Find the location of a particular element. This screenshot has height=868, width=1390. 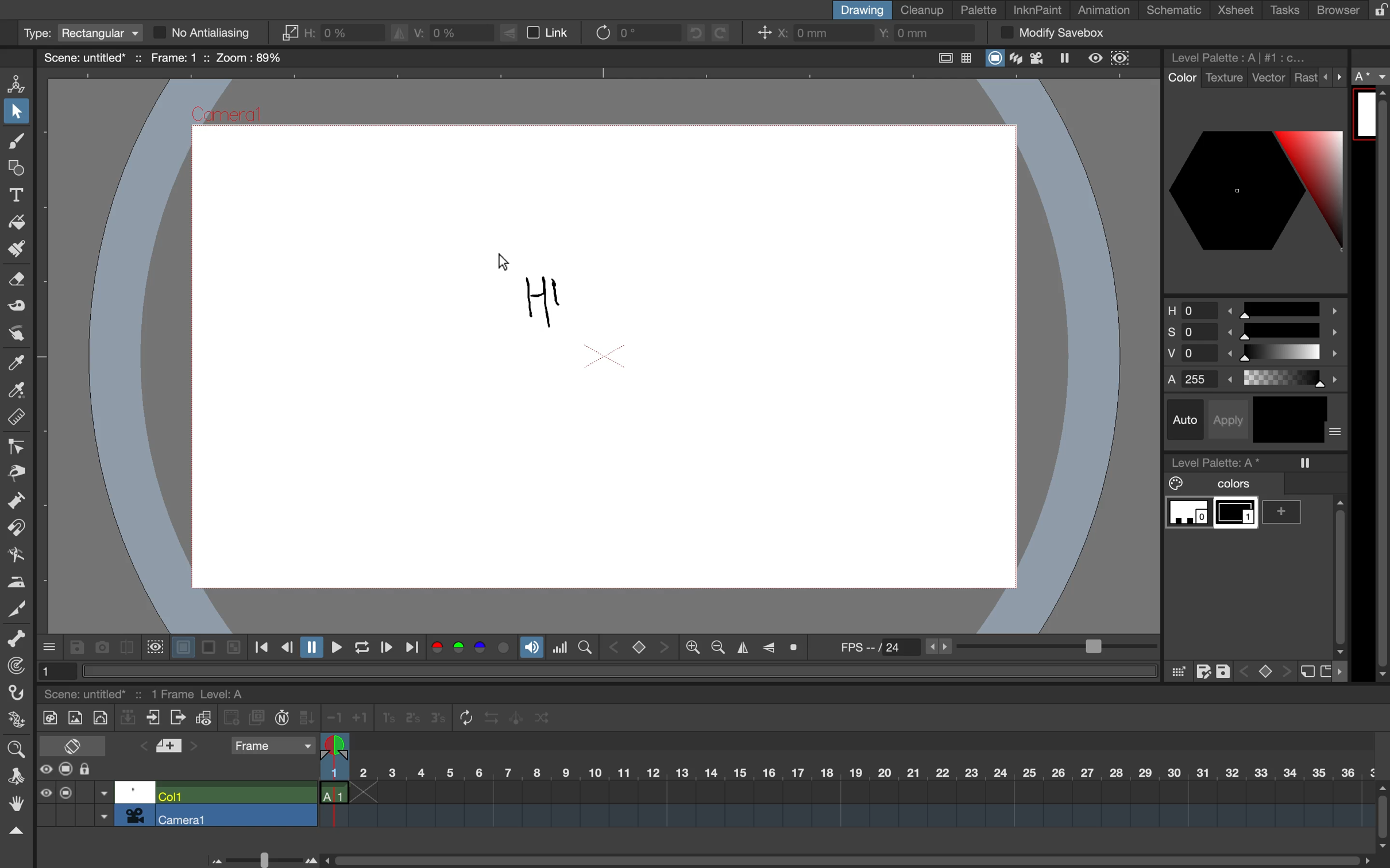

new toonz raster level is located at coordinates (47, 716).